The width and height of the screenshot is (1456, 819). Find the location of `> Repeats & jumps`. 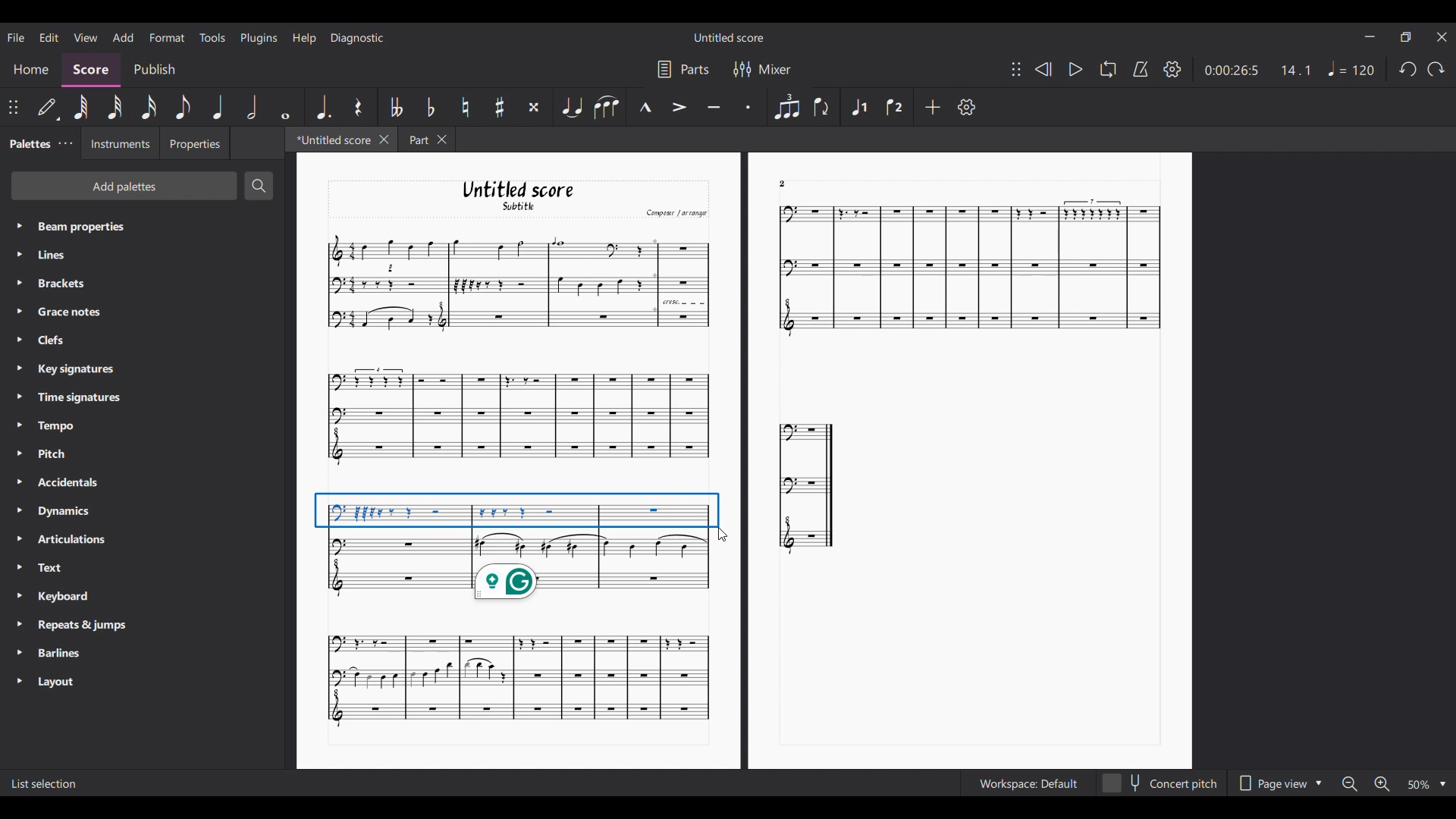

> Repeats & jumps is located at coordinates (74, 626).